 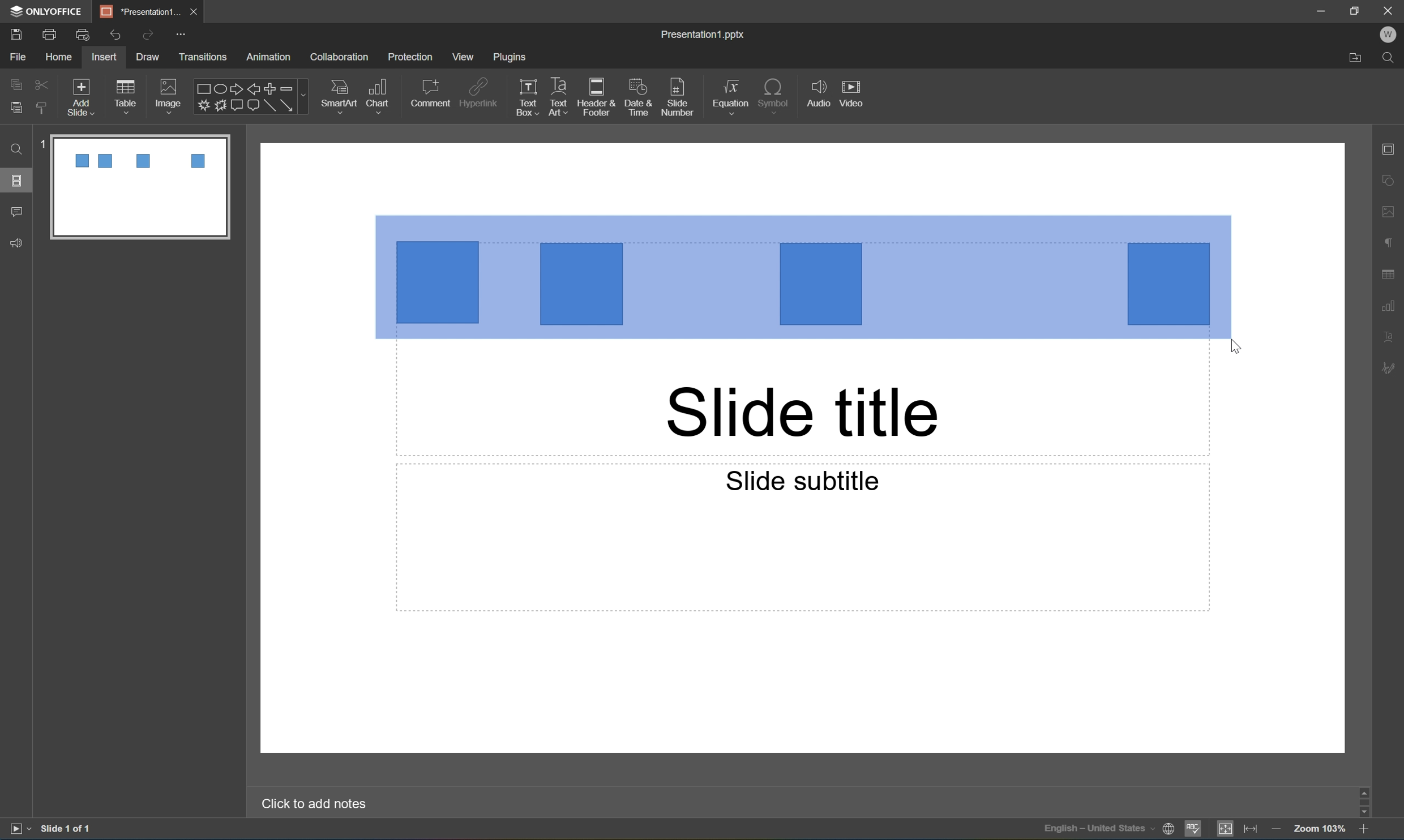 I want to click on feedback & support, so click(x=15, y=243).